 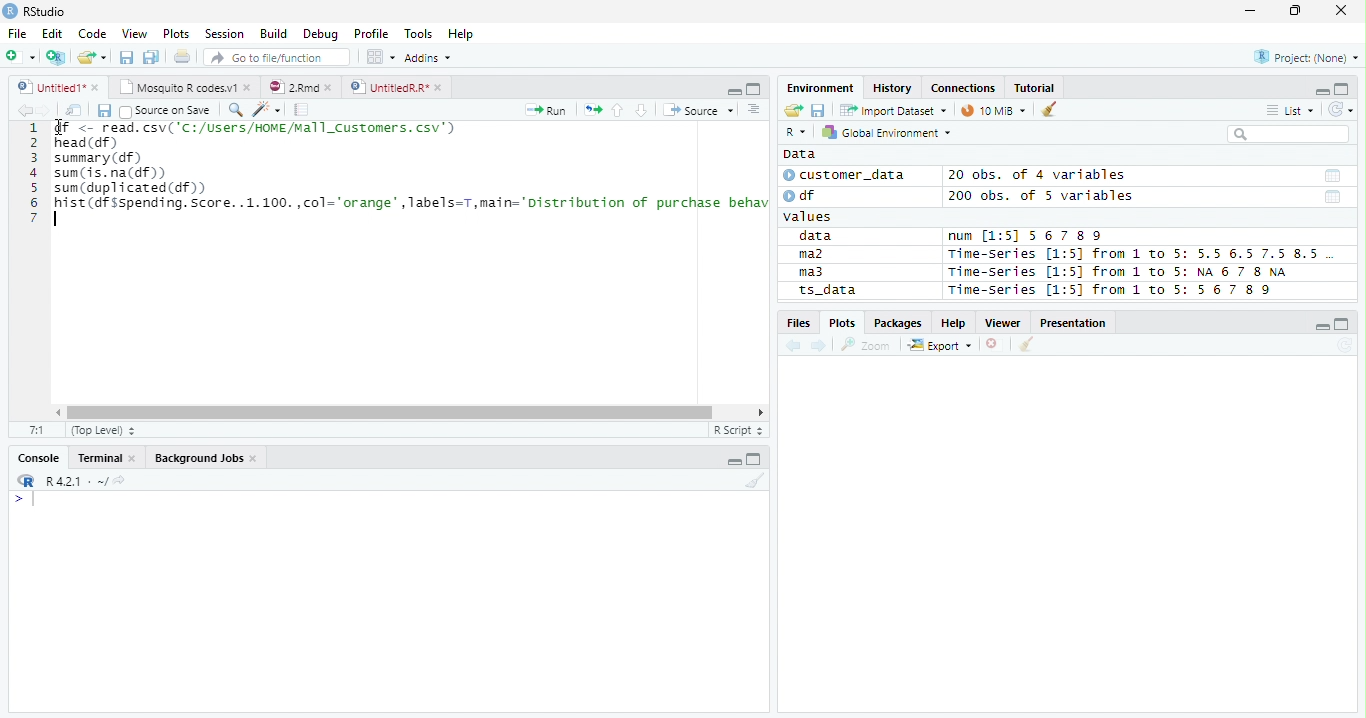 What do you see at coordinates (370, 34) in the screenshot?
I see `Profile` at bounding box center [370, 34].